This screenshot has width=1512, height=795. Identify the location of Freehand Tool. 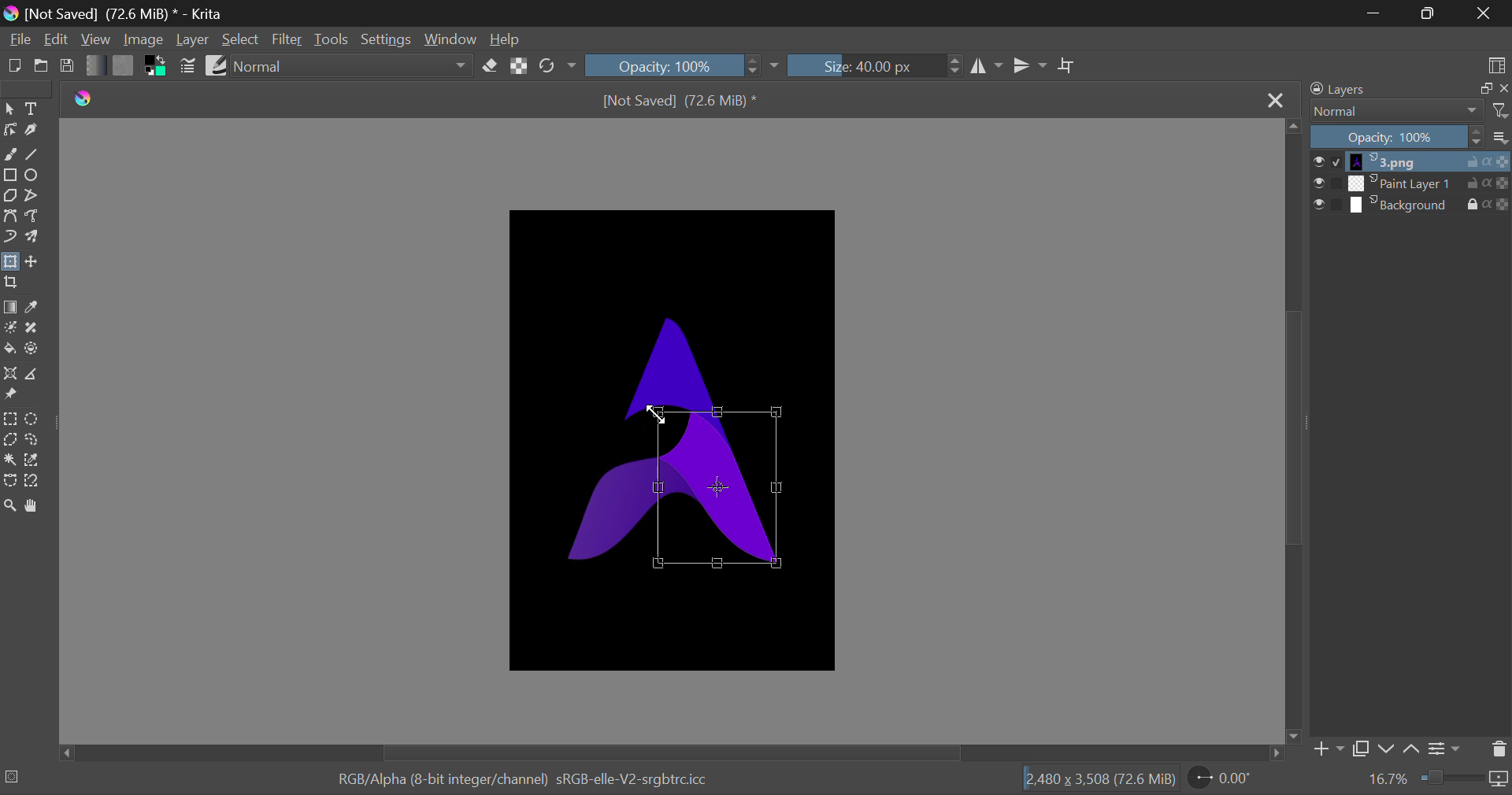
(30, 441).